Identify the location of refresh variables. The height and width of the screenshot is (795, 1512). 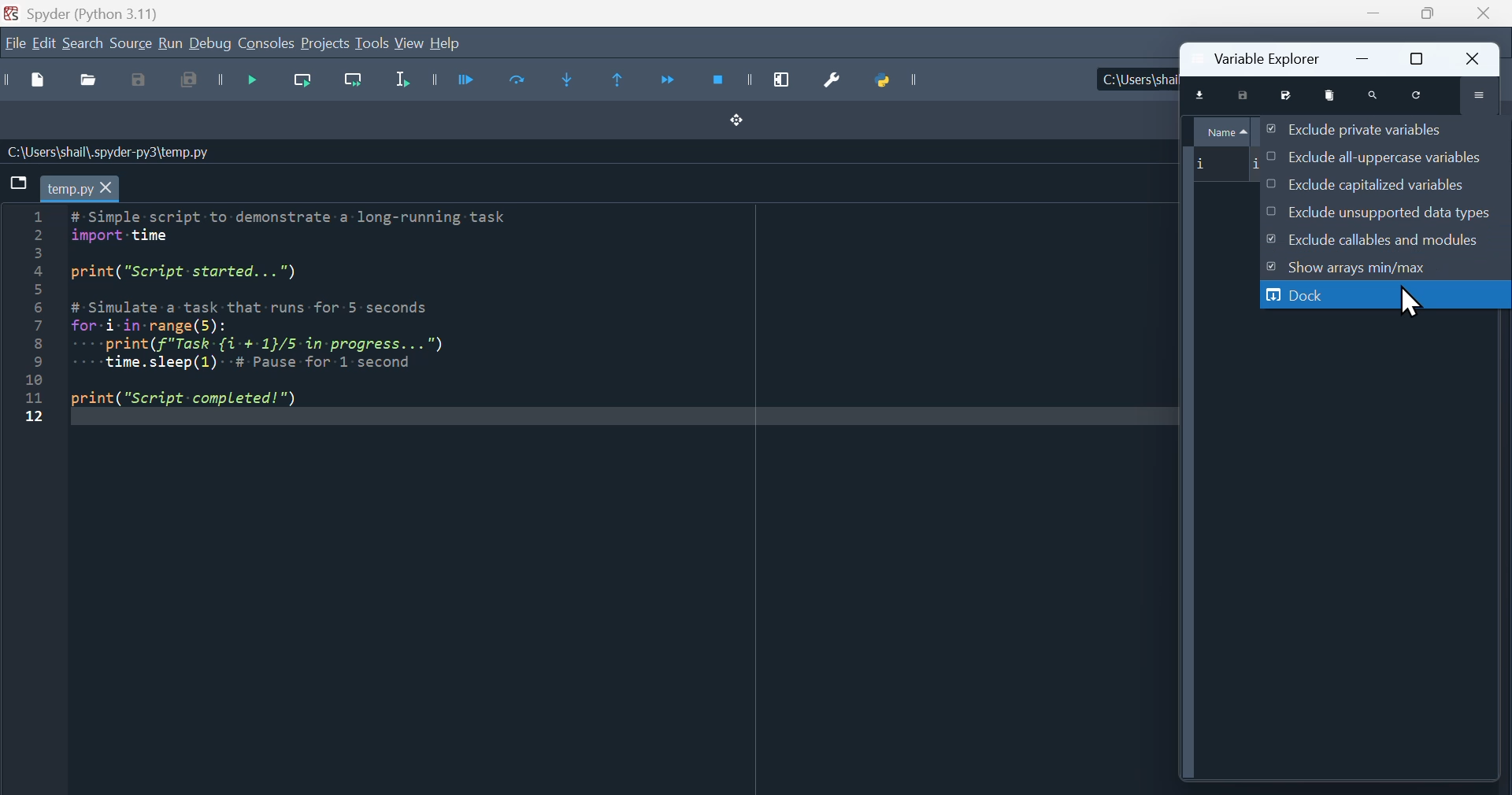
(1419, 94).